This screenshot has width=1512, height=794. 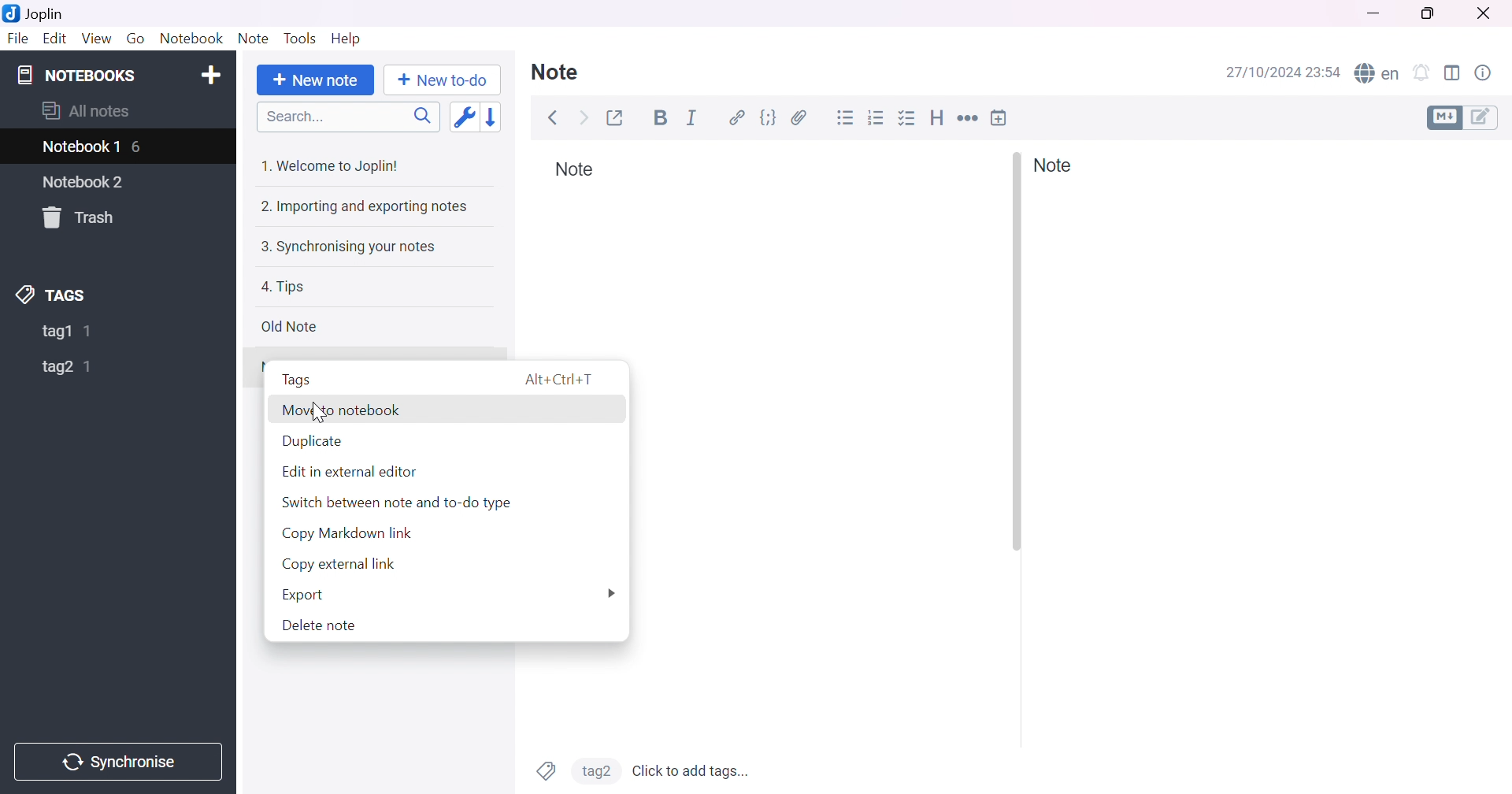 What do you see at coordinates (447, 81) in the screenshot?
I see `+New to-do` at bounding box center [447, 81].